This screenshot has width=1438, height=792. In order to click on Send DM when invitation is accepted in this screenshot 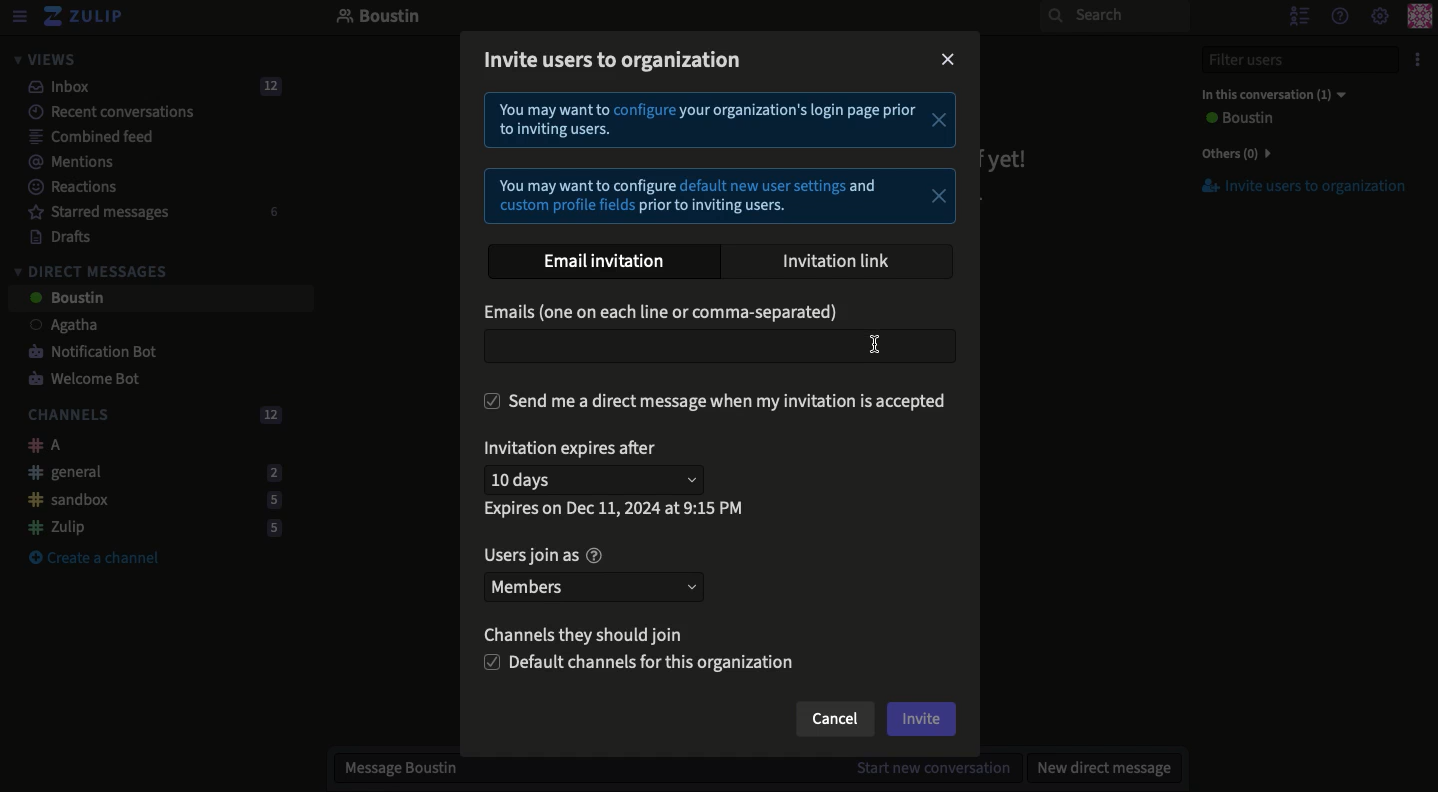, I will do `click(716, 401)`.